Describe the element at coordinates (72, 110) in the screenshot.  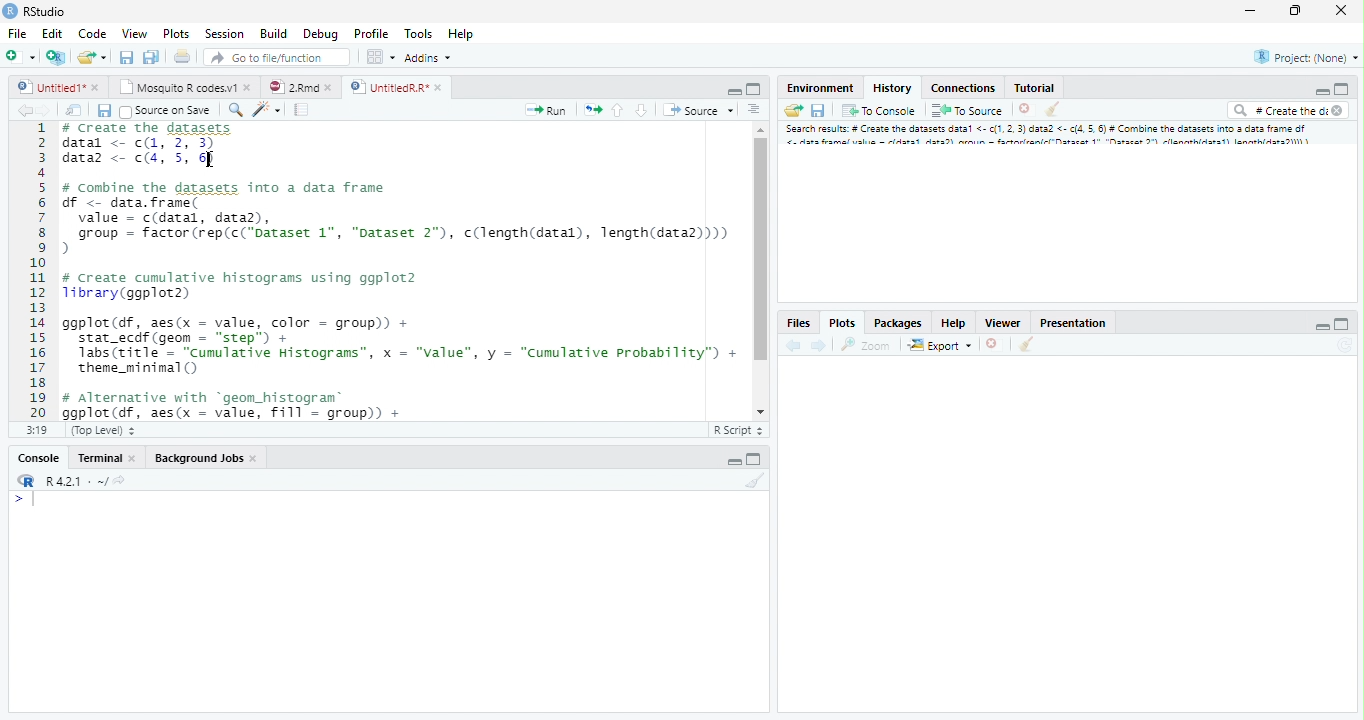
I see `Show in the new window` at that location.